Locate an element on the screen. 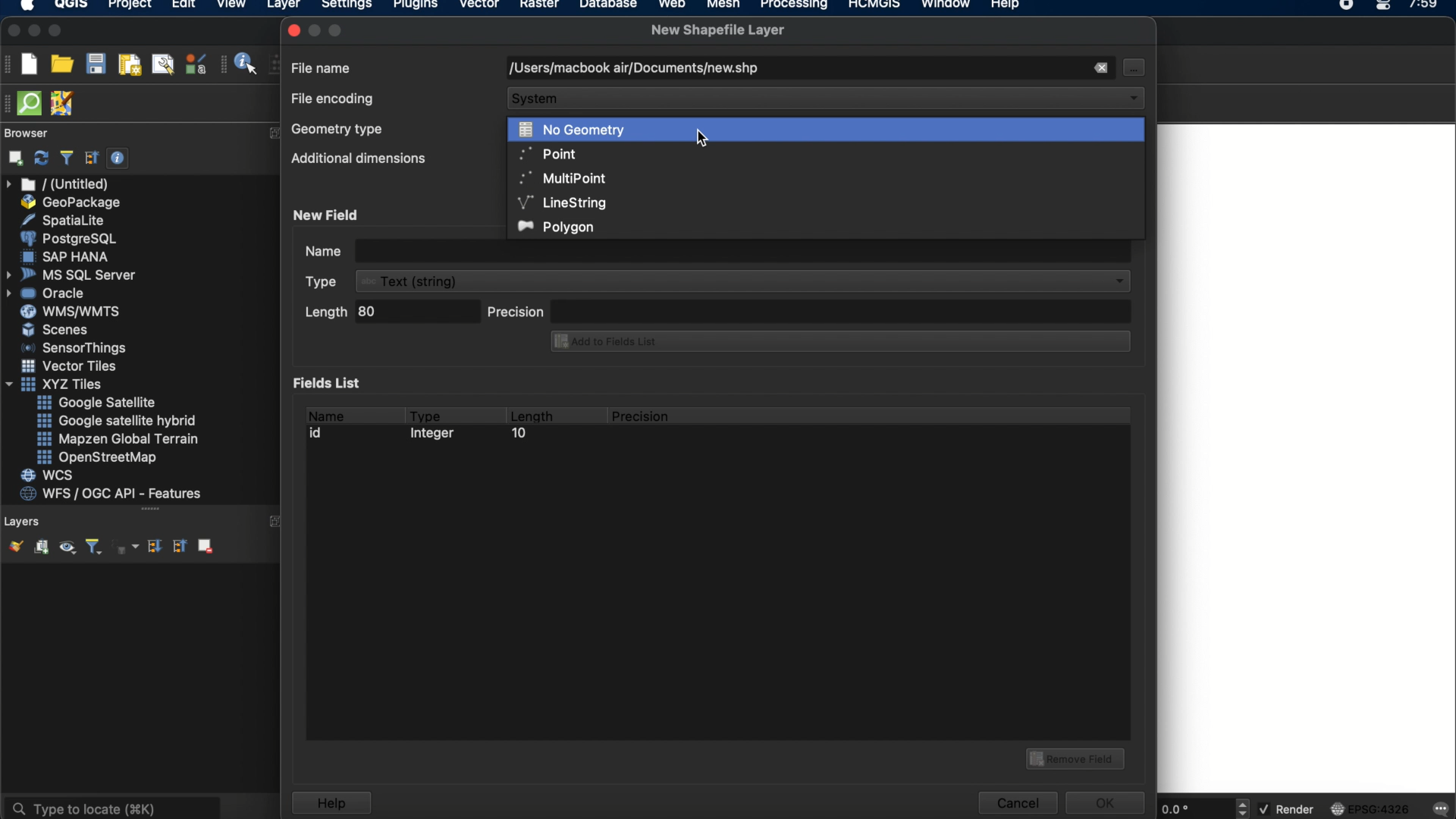 The width and height of the screenshot is (1456, 819). new shaoefile layer is located at coordinates (718, 30).